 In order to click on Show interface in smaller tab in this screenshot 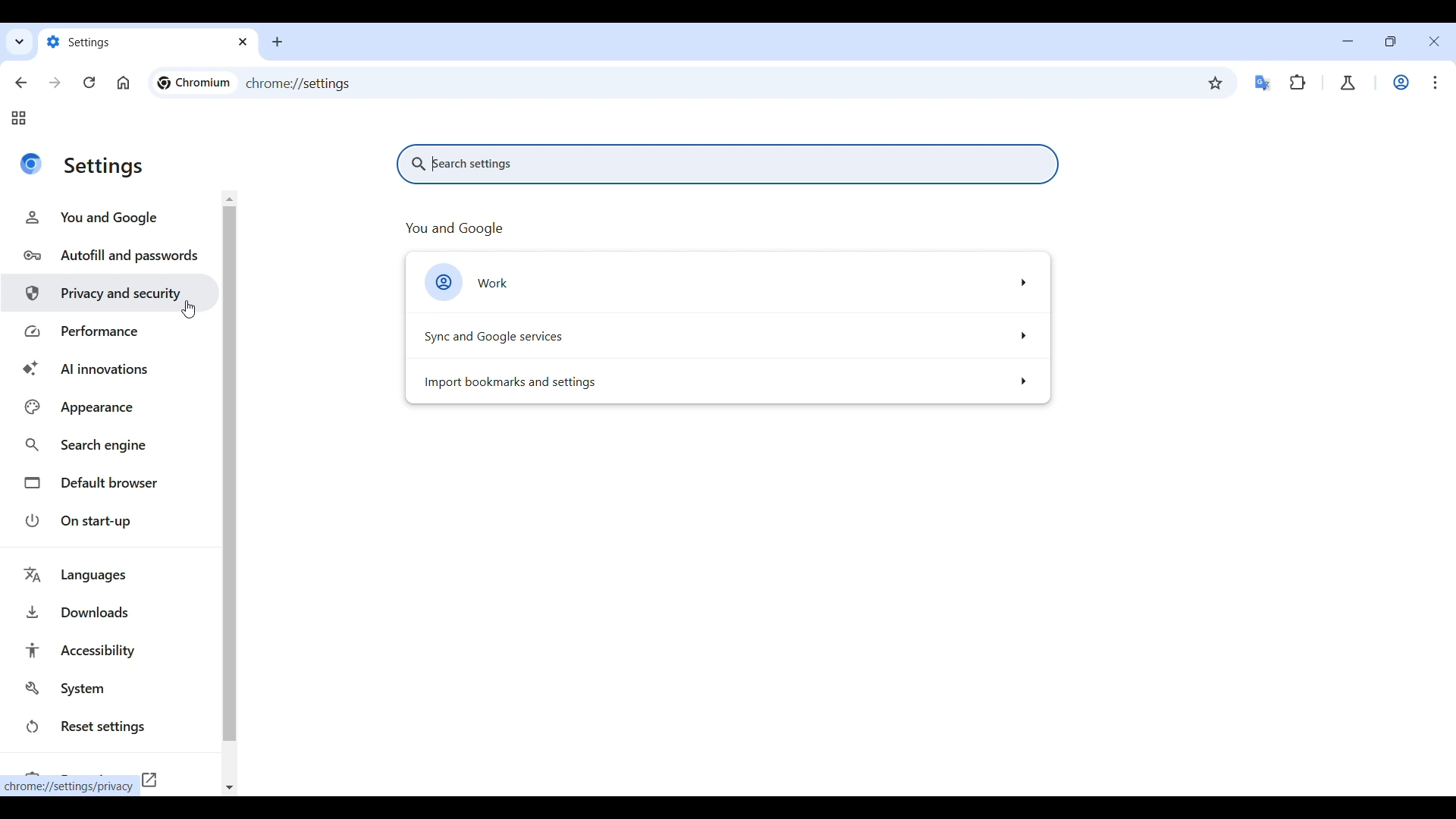, I will do `click(1390, 41)`.